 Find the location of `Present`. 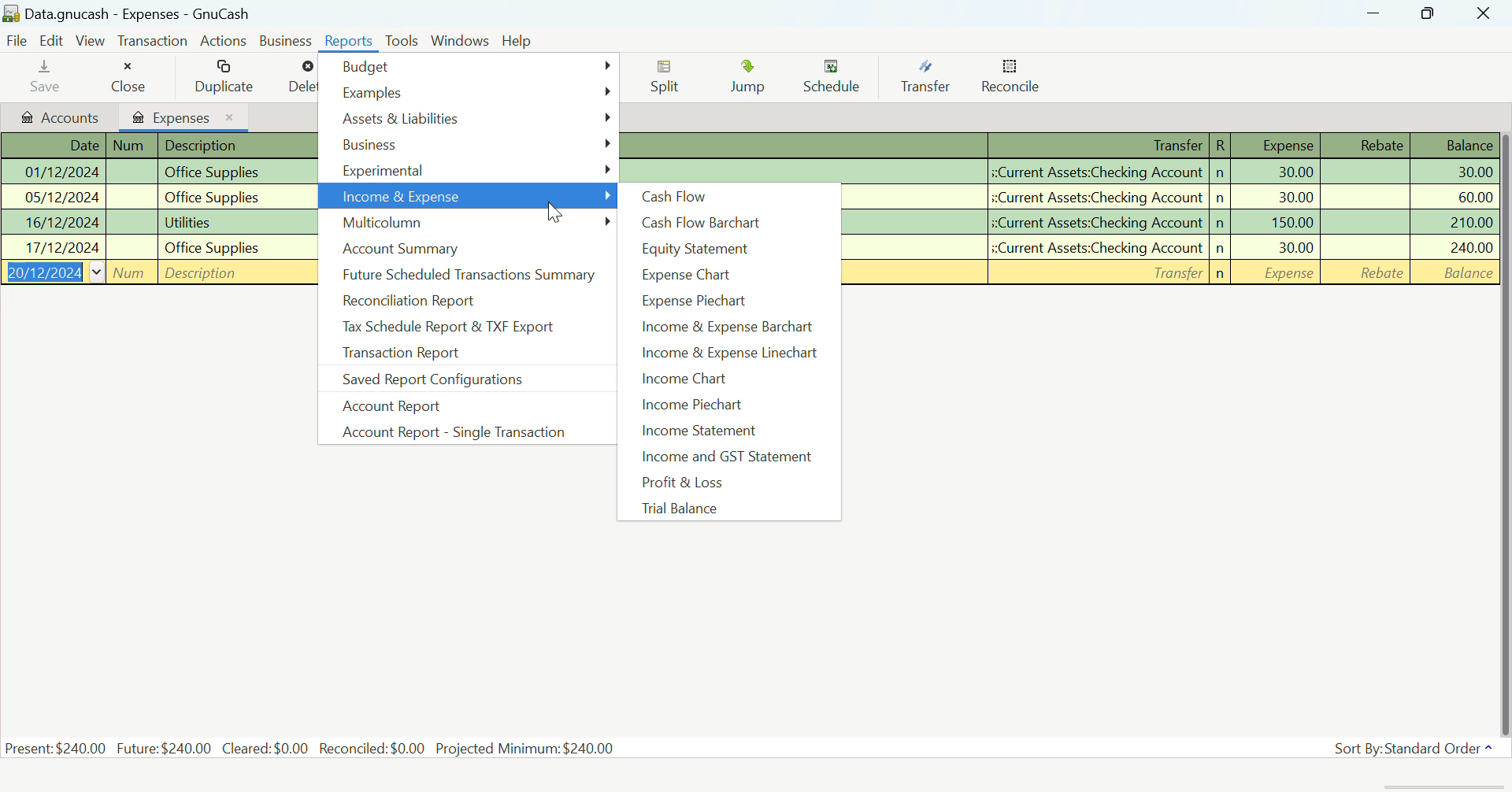

Present is located at coordinates (56, 748).